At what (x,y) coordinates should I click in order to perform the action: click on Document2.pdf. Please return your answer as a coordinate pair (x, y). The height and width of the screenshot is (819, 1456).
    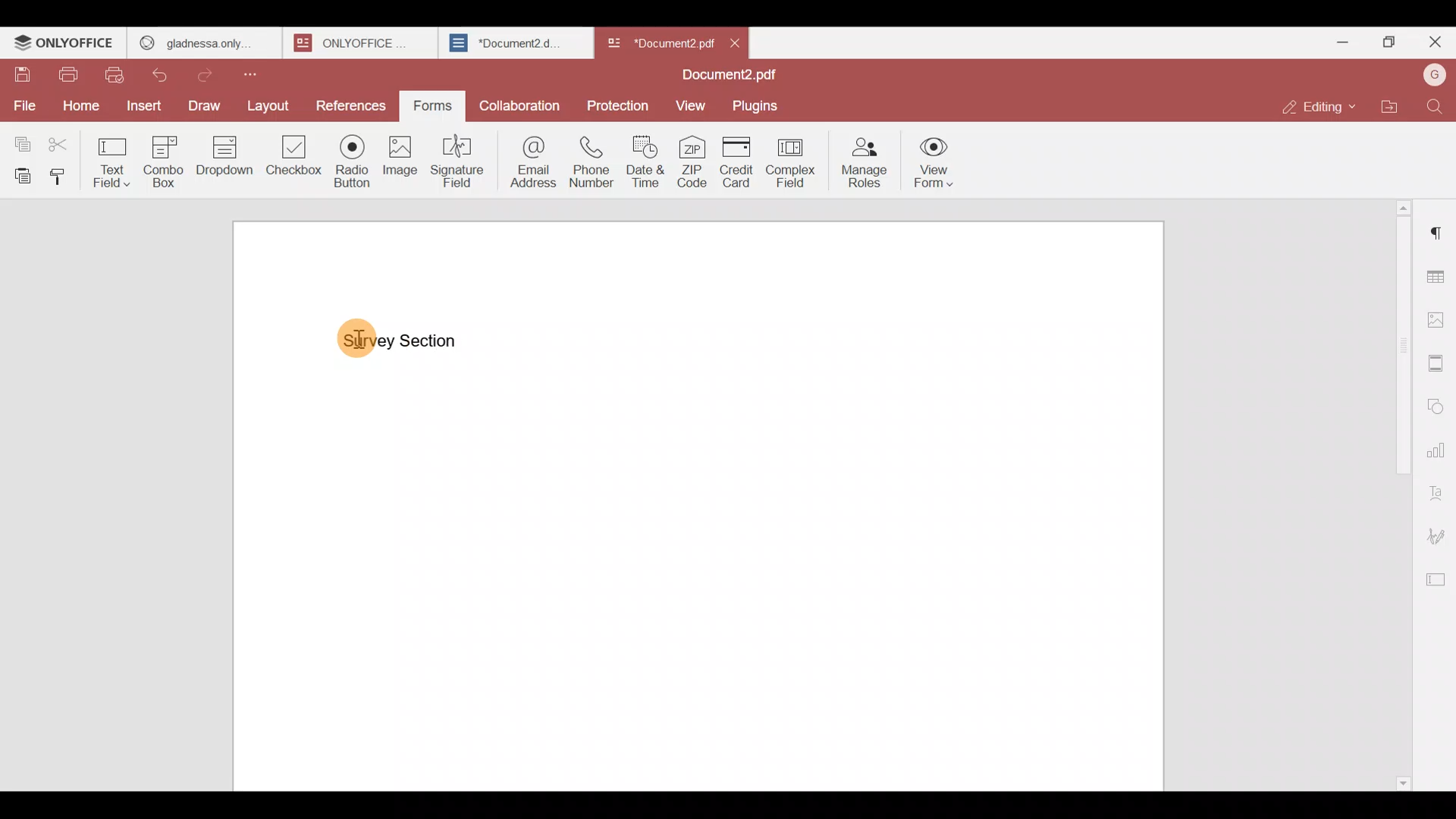
    Looking at the image, I should click on (724, 76).